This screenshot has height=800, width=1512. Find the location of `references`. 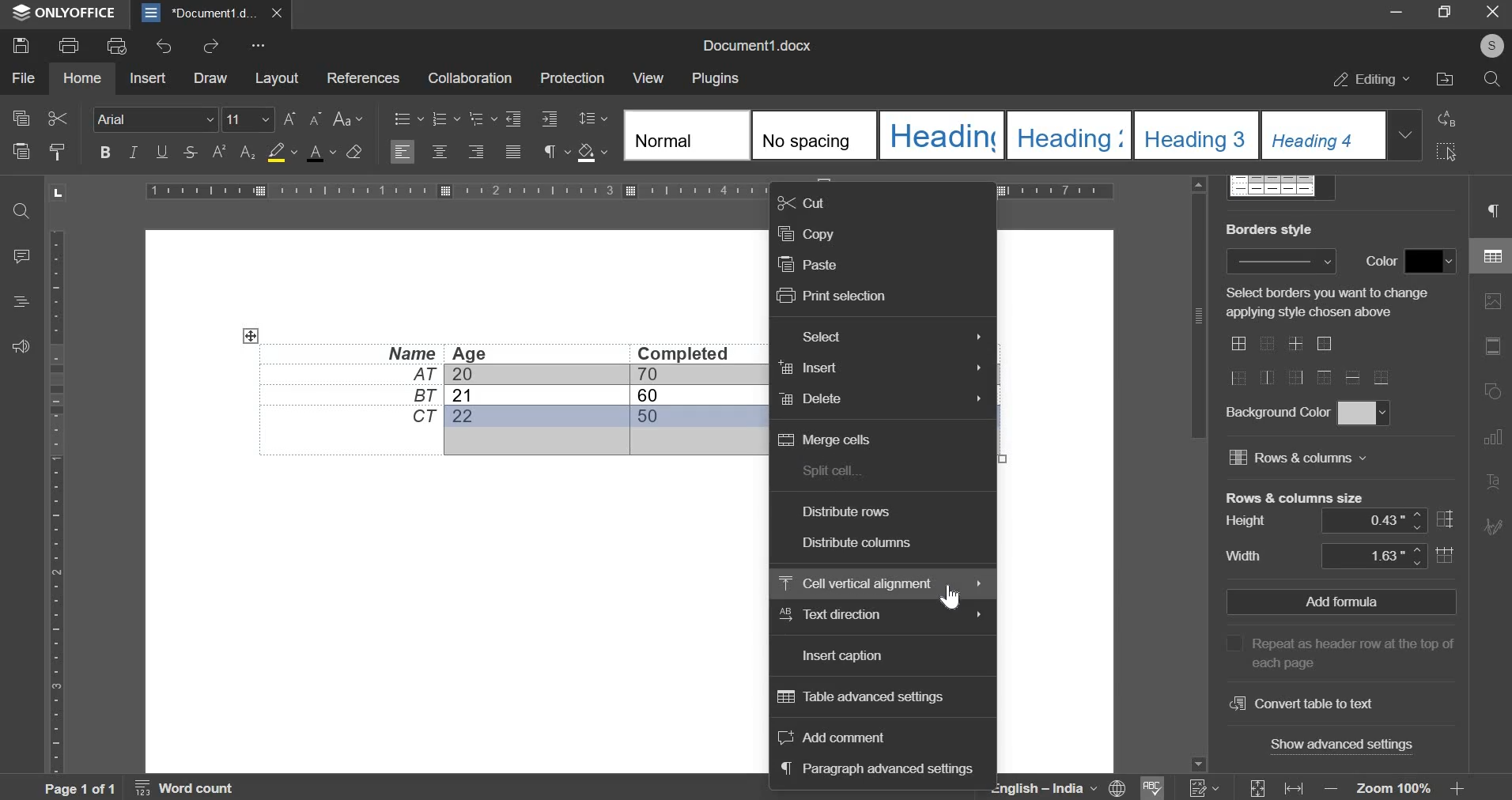

references is located at coordinates (361, 75).